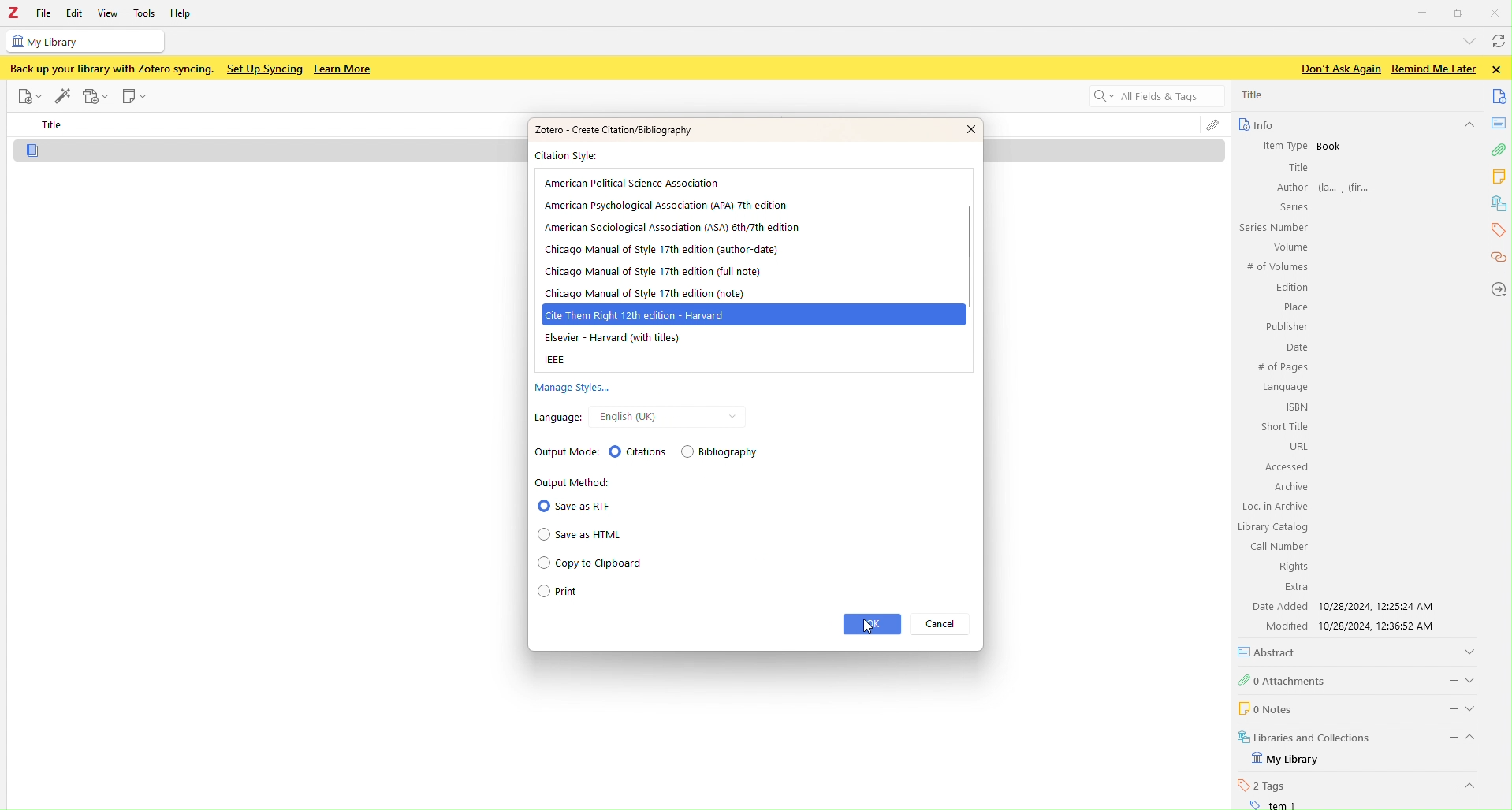  What do you see at coordinates (1497, 12) in the screenshot?
I see `Close` at bounding box center [1497, 12].